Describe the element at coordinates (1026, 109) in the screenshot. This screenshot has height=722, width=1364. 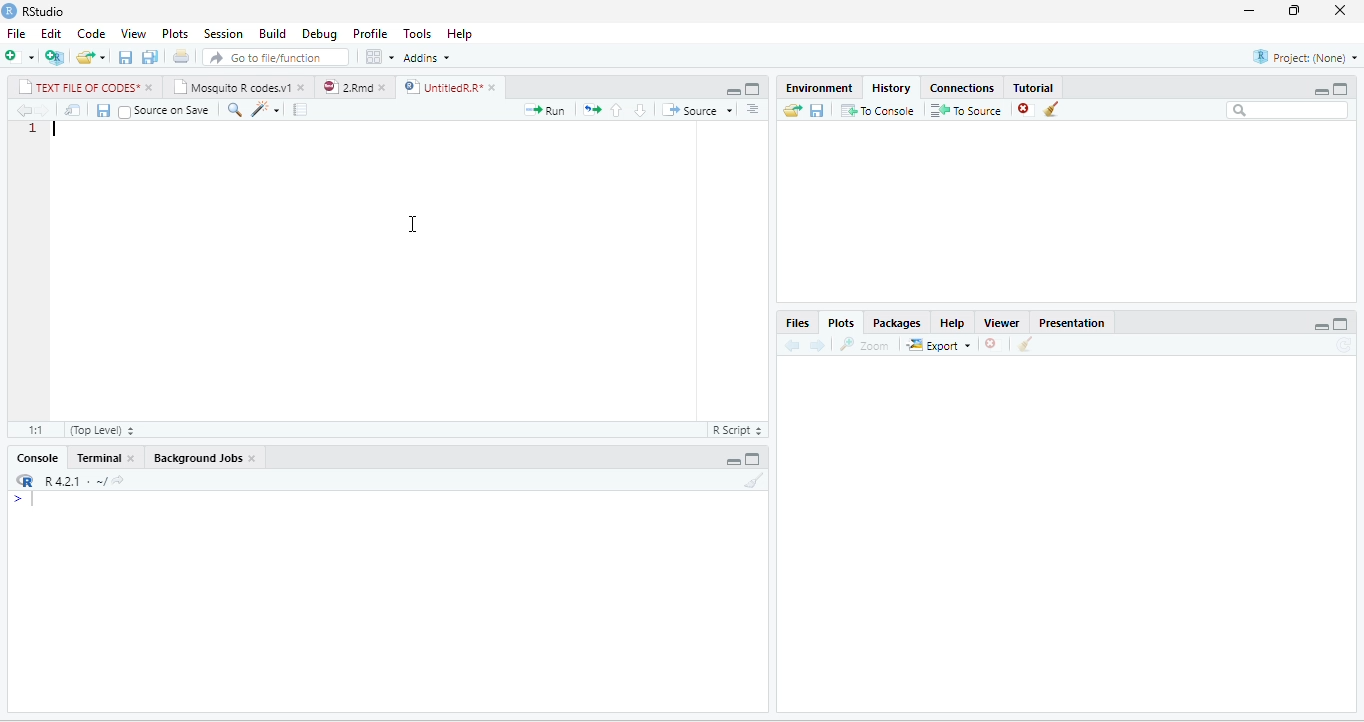
I see `close file` at that location.